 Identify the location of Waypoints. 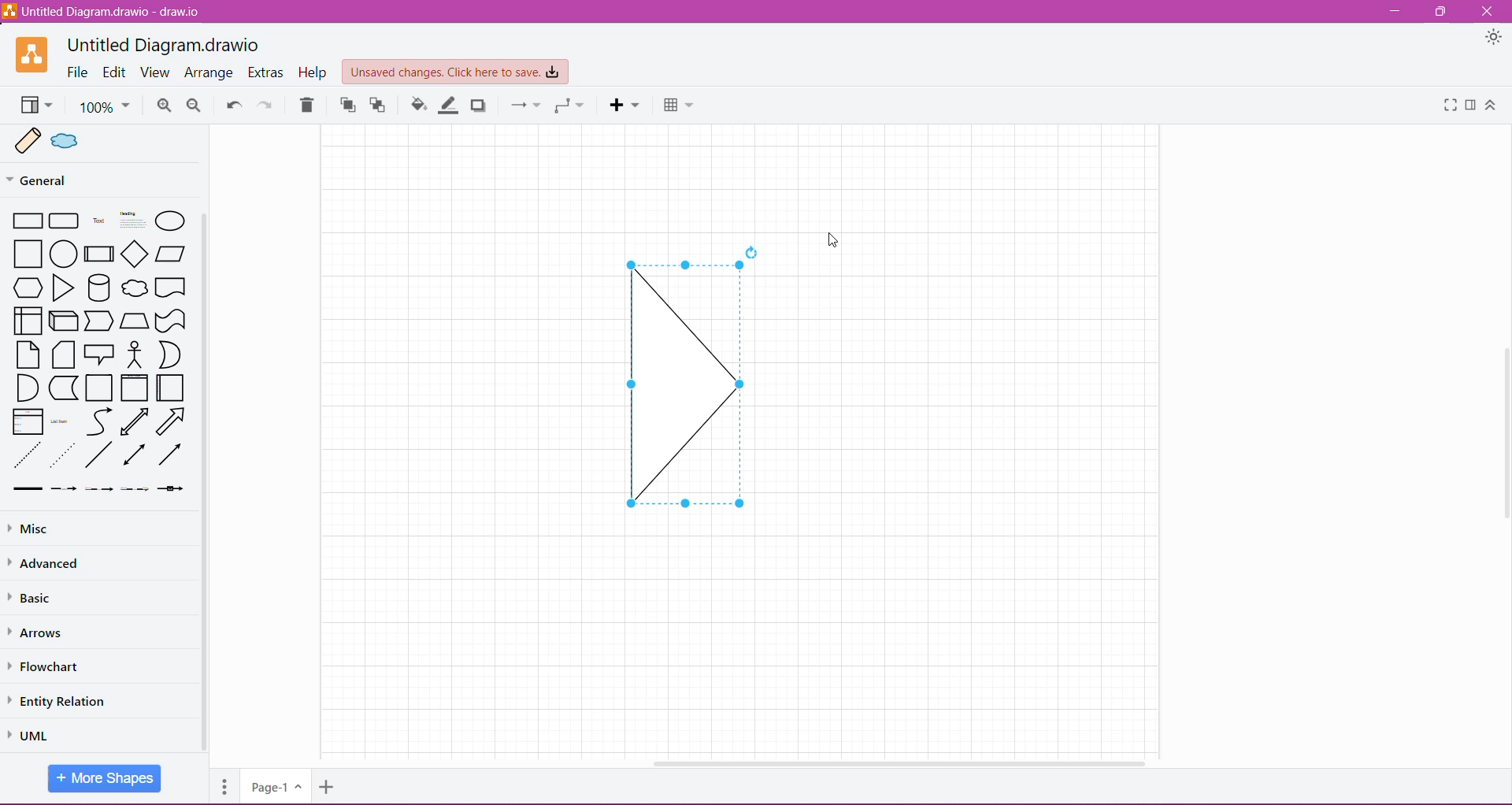
(569, 106).